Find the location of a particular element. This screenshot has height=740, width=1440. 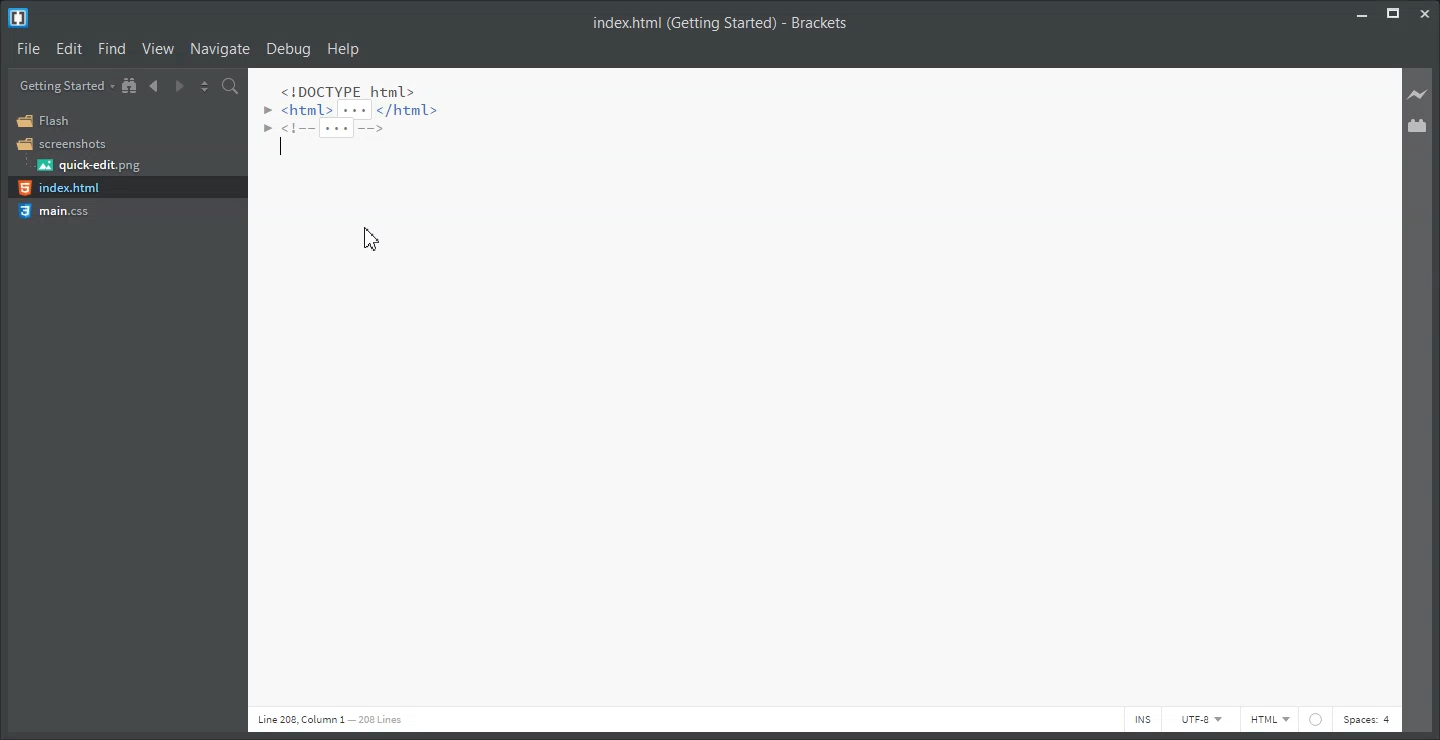

HTML is located at coordinates (1272, 719).